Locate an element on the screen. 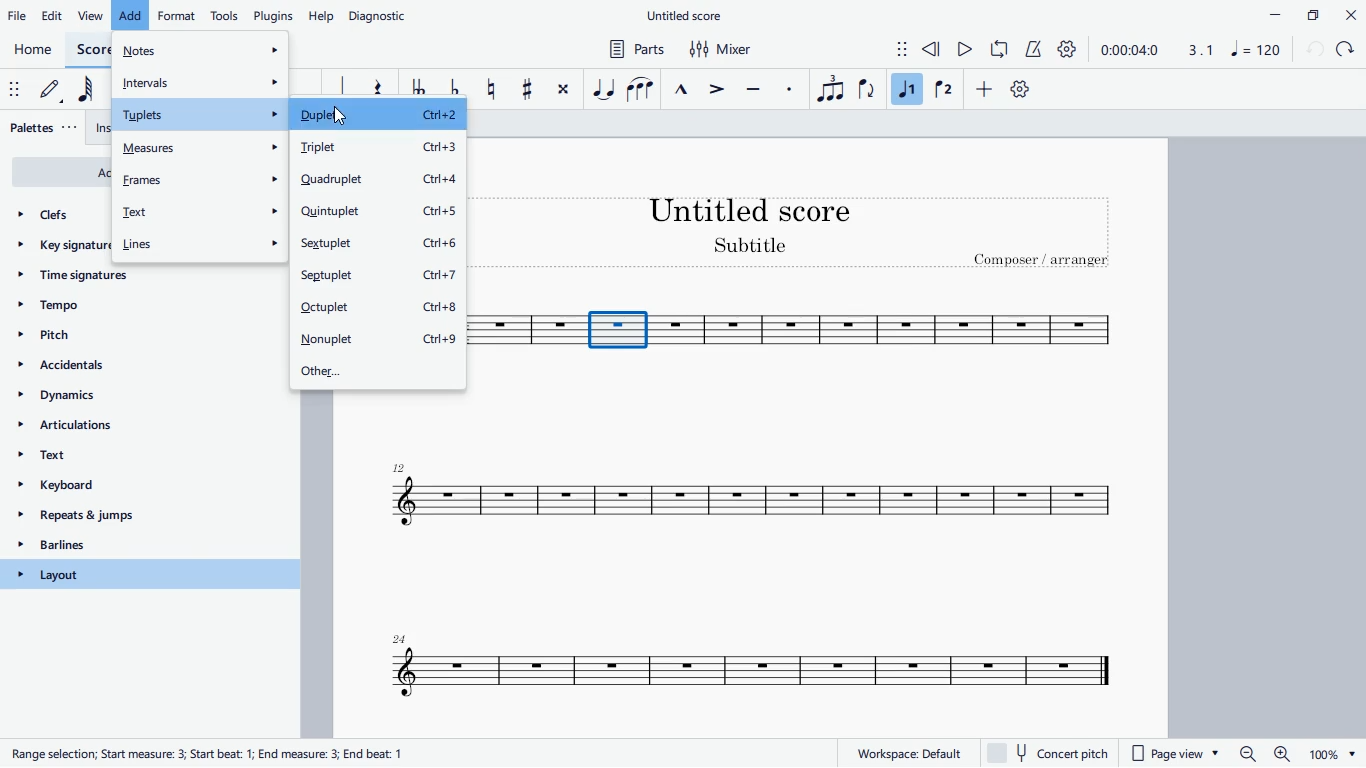 The image size is (1366, 768). minimize is located at coordinates (1268, 14).